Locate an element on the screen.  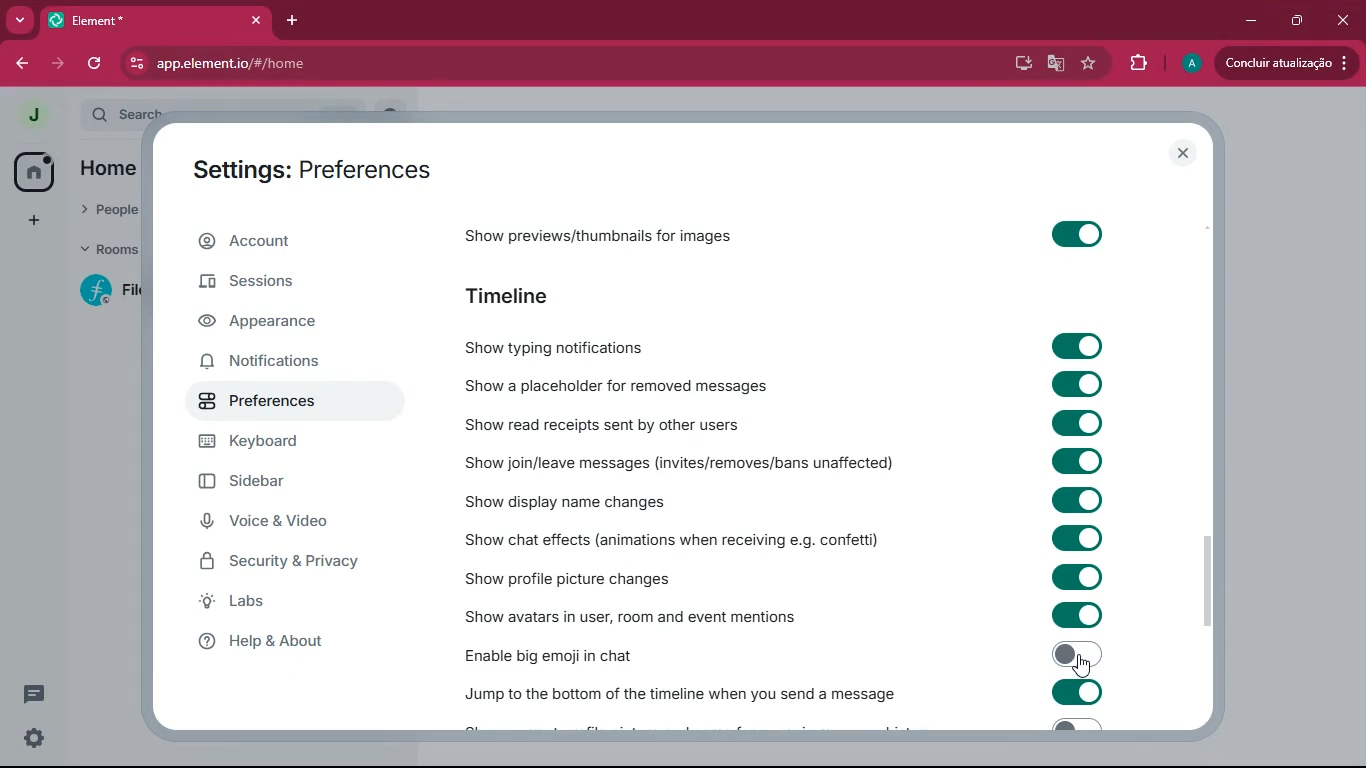
show join / leave messages (invites/removes/ban unaffected) is located at coordinates (703, 459).